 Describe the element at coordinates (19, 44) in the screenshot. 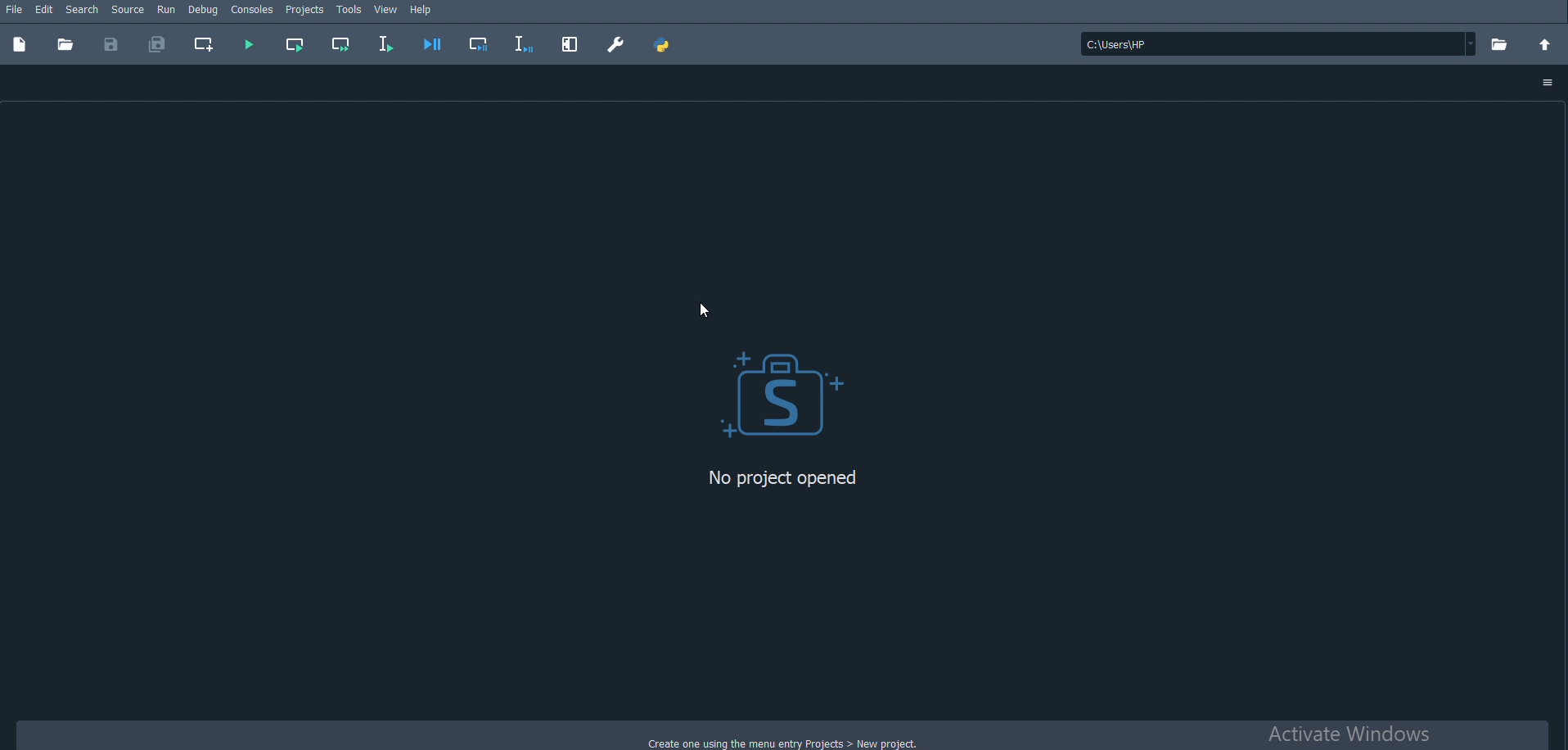

I see `New file` at that location.